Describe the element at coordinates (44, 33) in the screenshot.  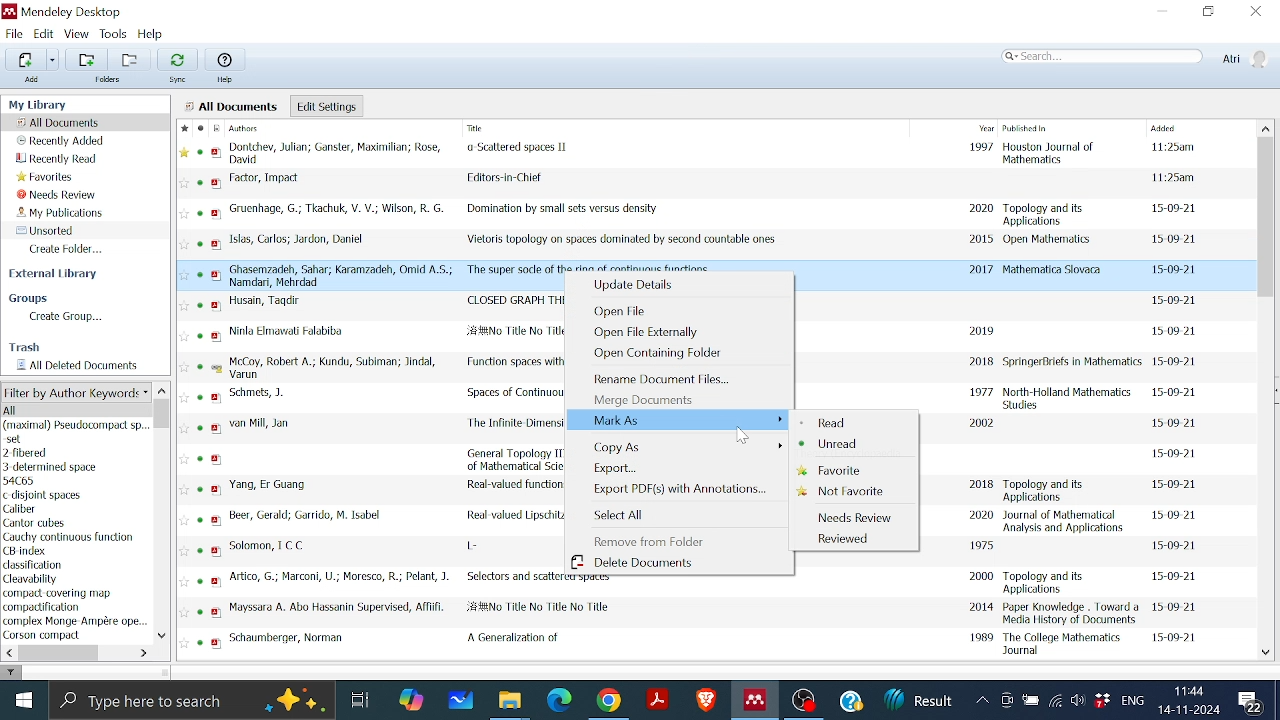
I see `Edit` at that location.